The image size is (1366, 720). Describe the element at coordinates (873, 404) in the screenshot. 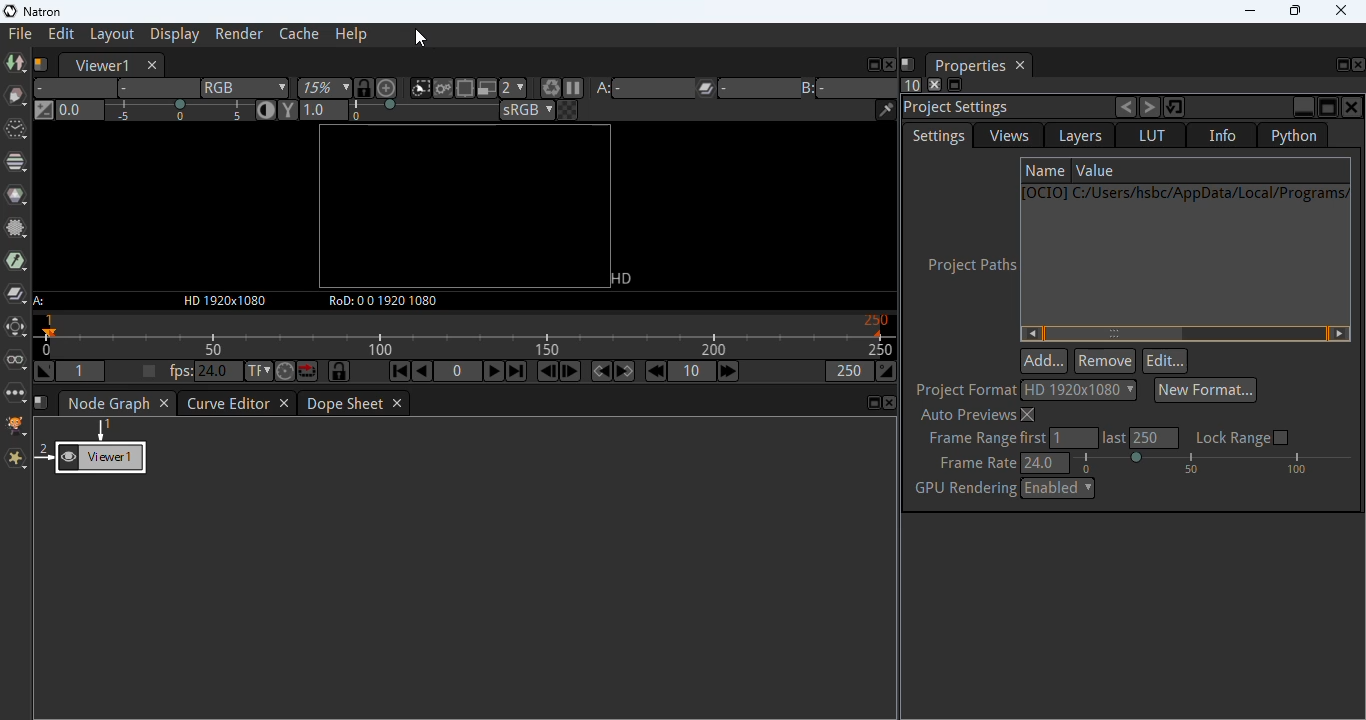

I see `float pane` at that location.